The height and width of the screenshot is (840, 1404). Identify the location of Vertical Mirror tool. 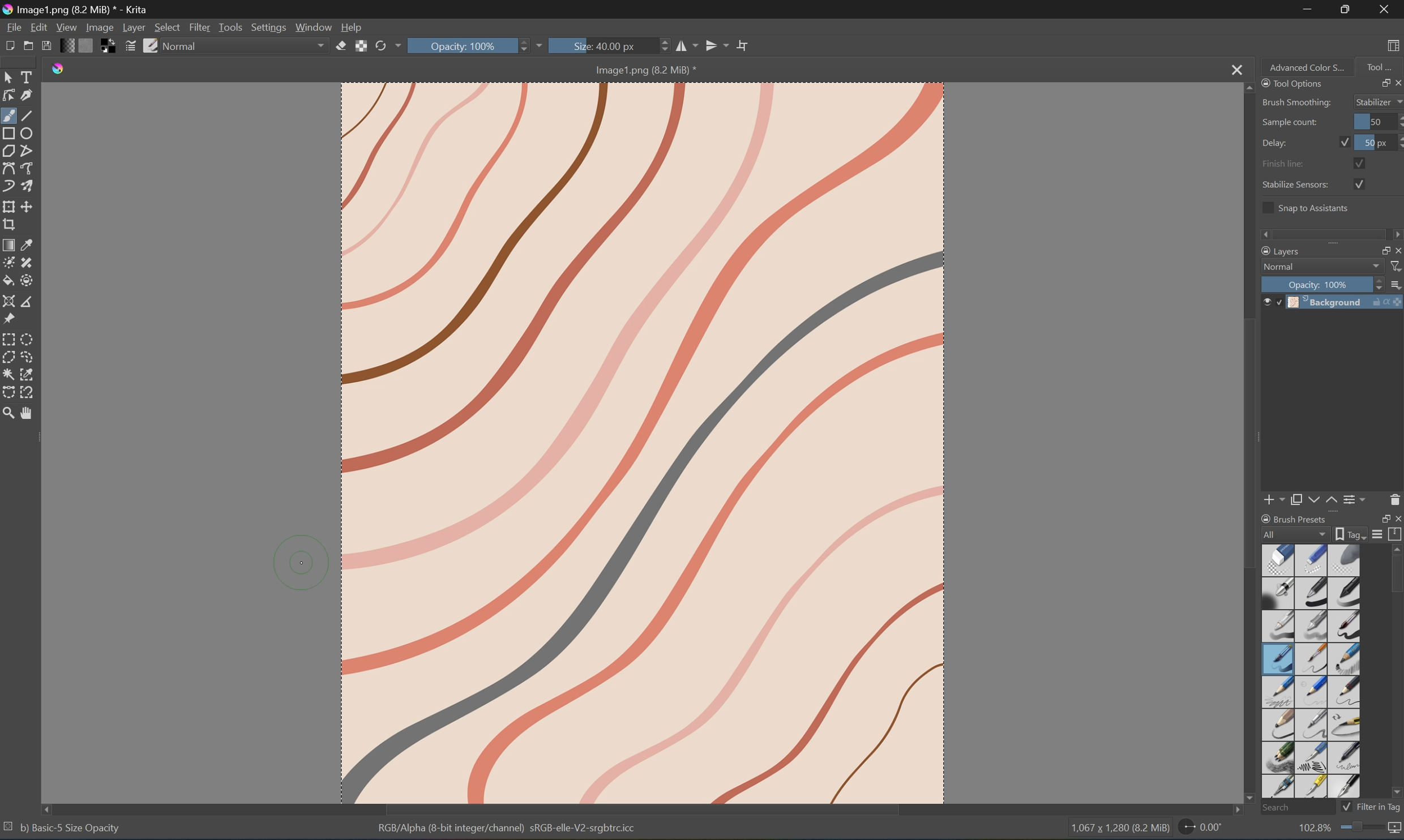
(716, 44).